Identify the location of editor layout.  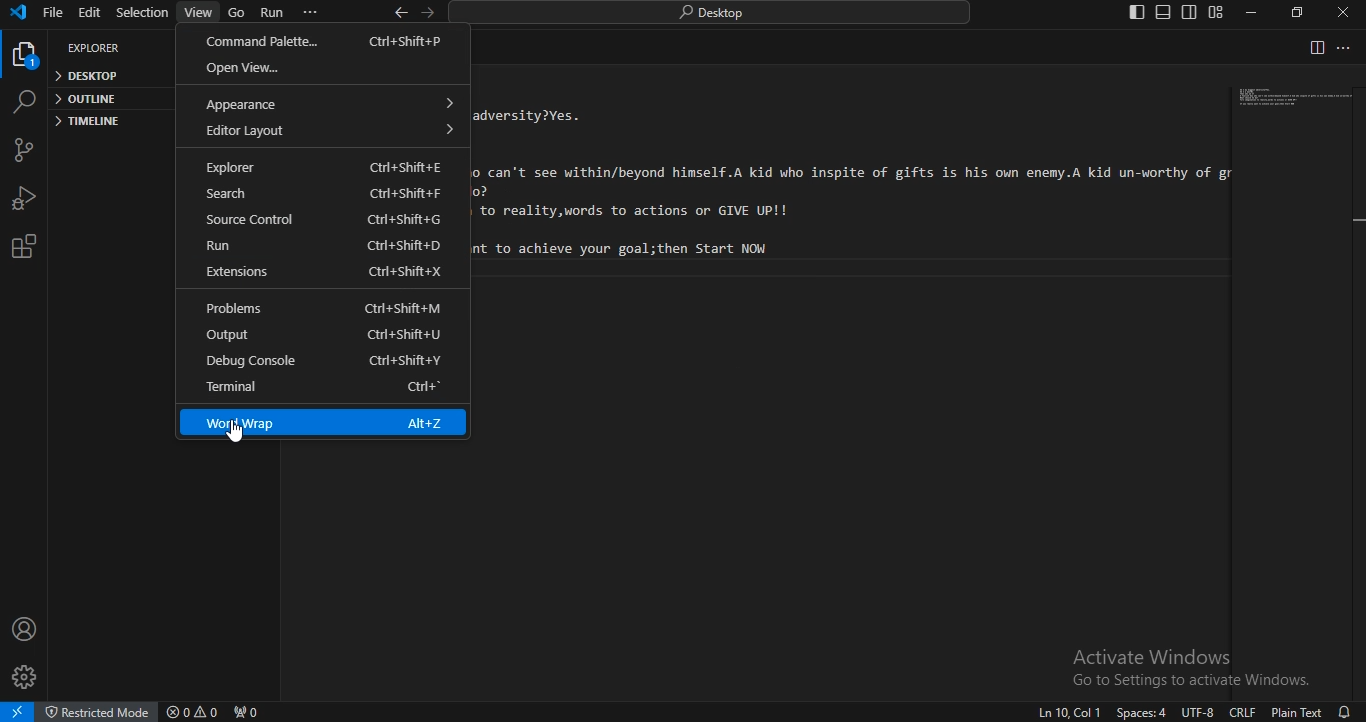
(329, 130).